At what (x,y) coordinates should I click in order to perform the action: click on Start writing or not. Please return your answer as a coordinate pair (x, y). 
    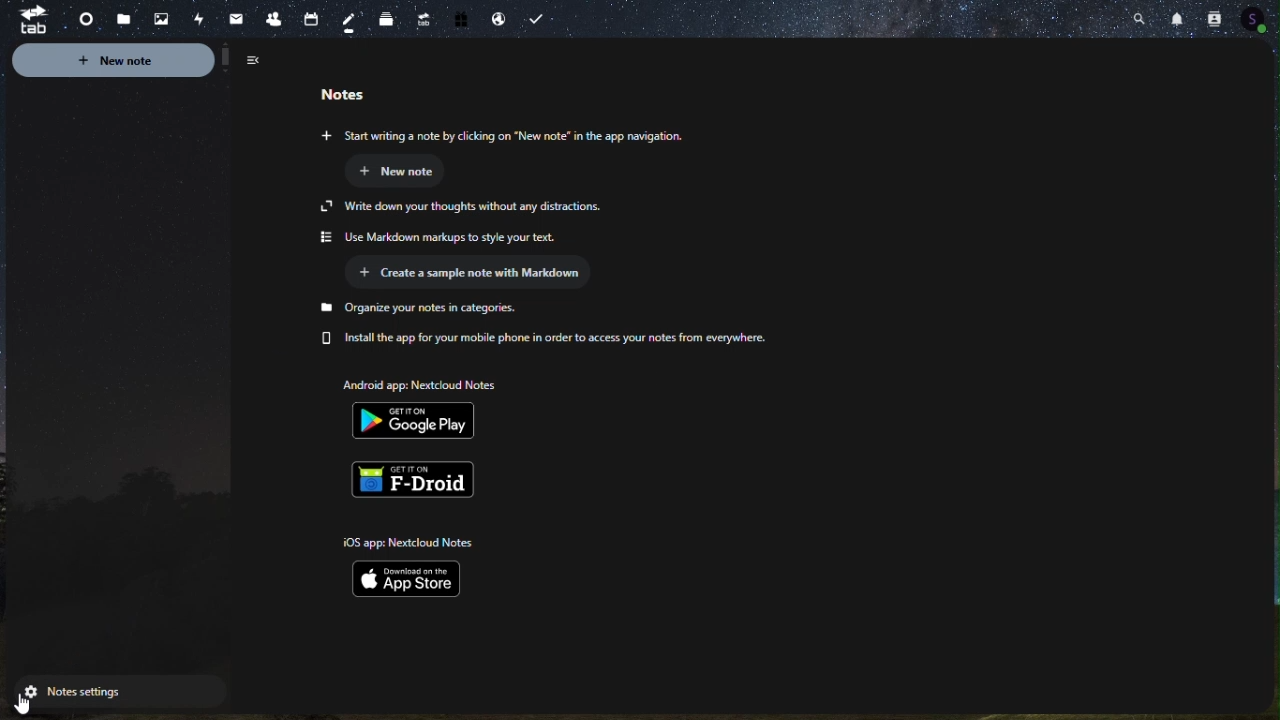
    Looking at the image, I should click on (500, 136).